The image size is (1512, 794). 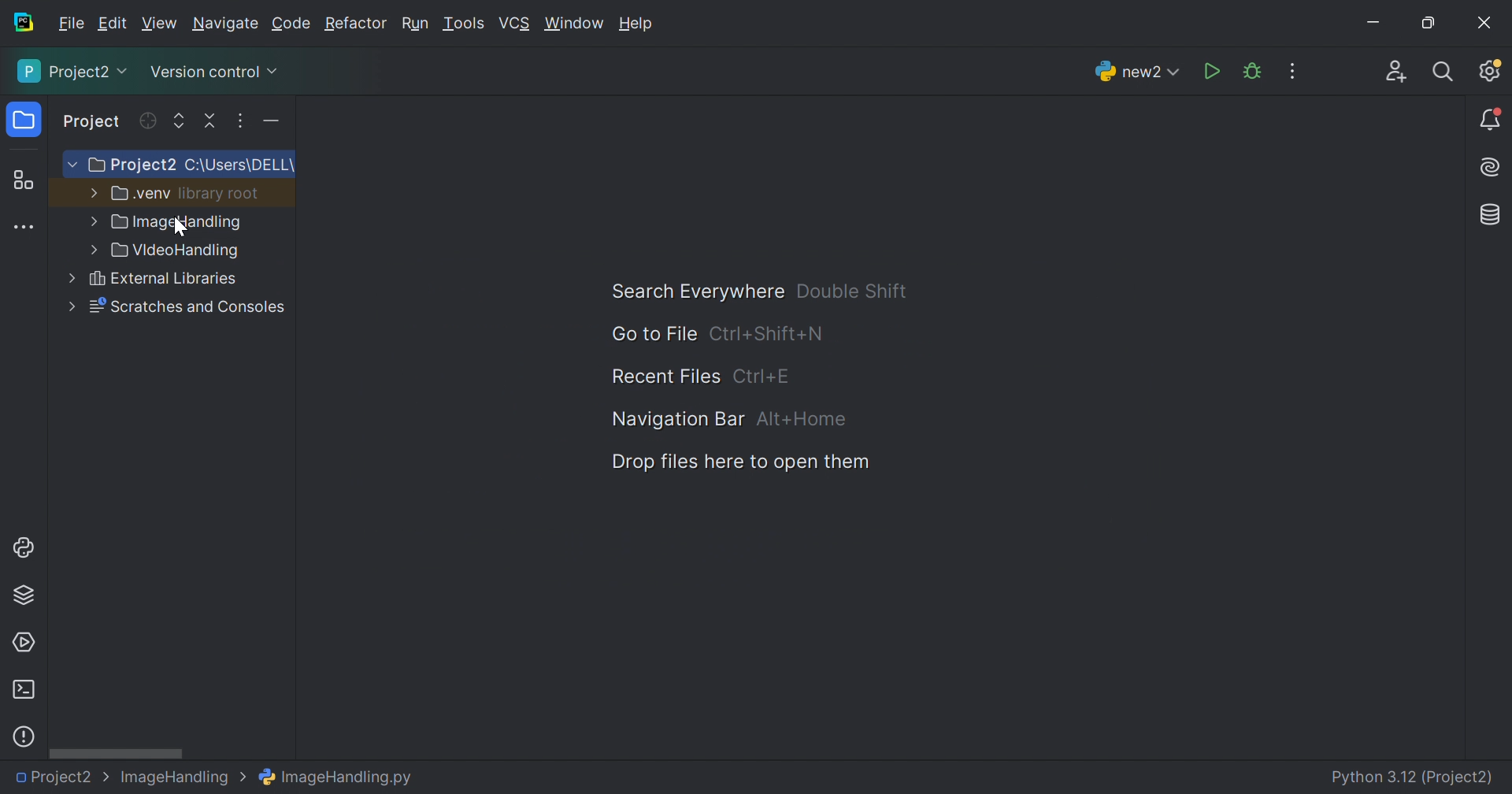 What do you see at coordinates (1416, 772) in the screenshot?
I see `Python 3.12 (Project2)` at bounding box center [1416, 772].